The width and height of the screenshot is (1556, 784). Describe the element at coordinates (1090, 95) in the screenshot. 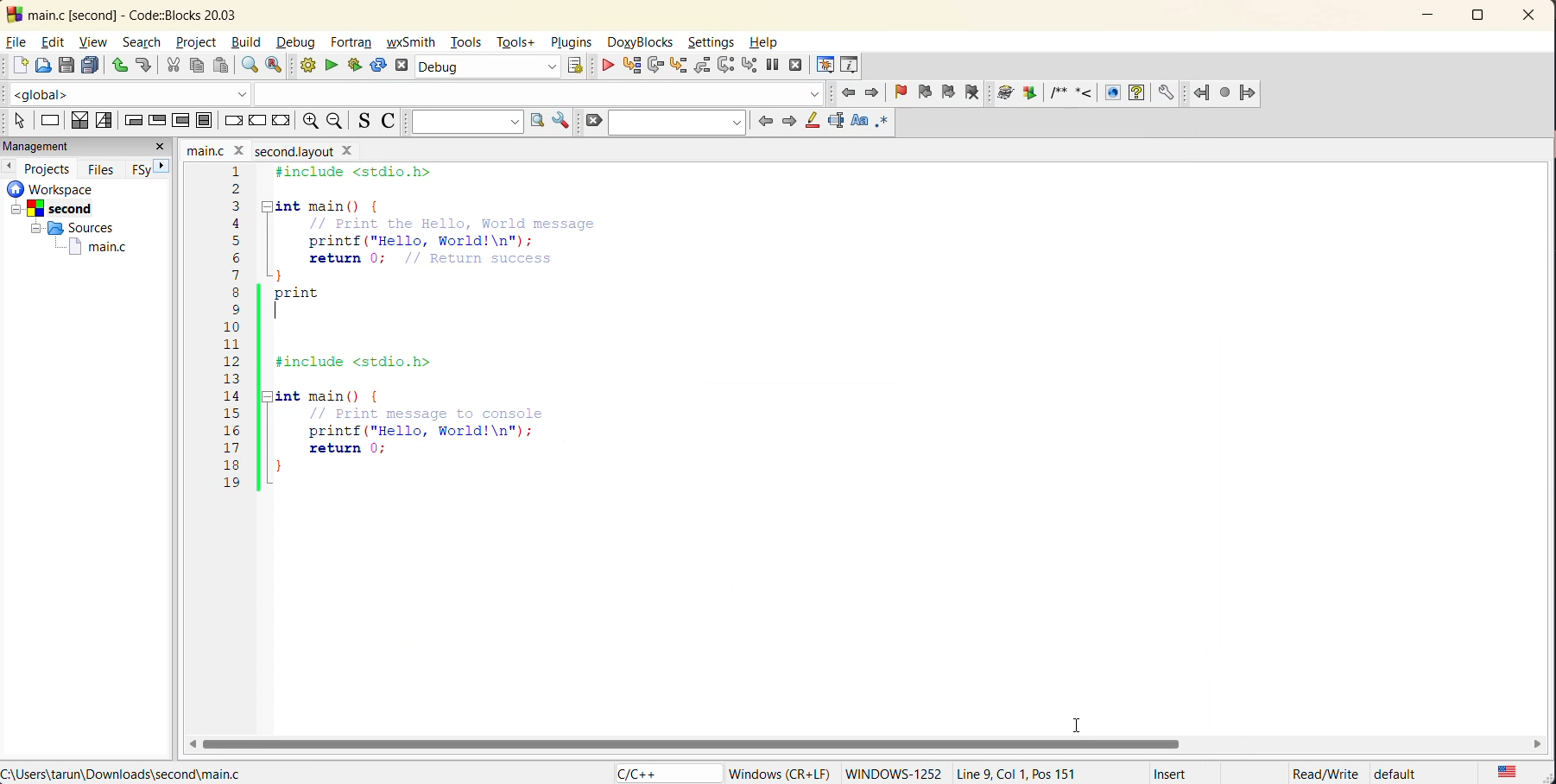

I see `doxyblocks reference` at that location.